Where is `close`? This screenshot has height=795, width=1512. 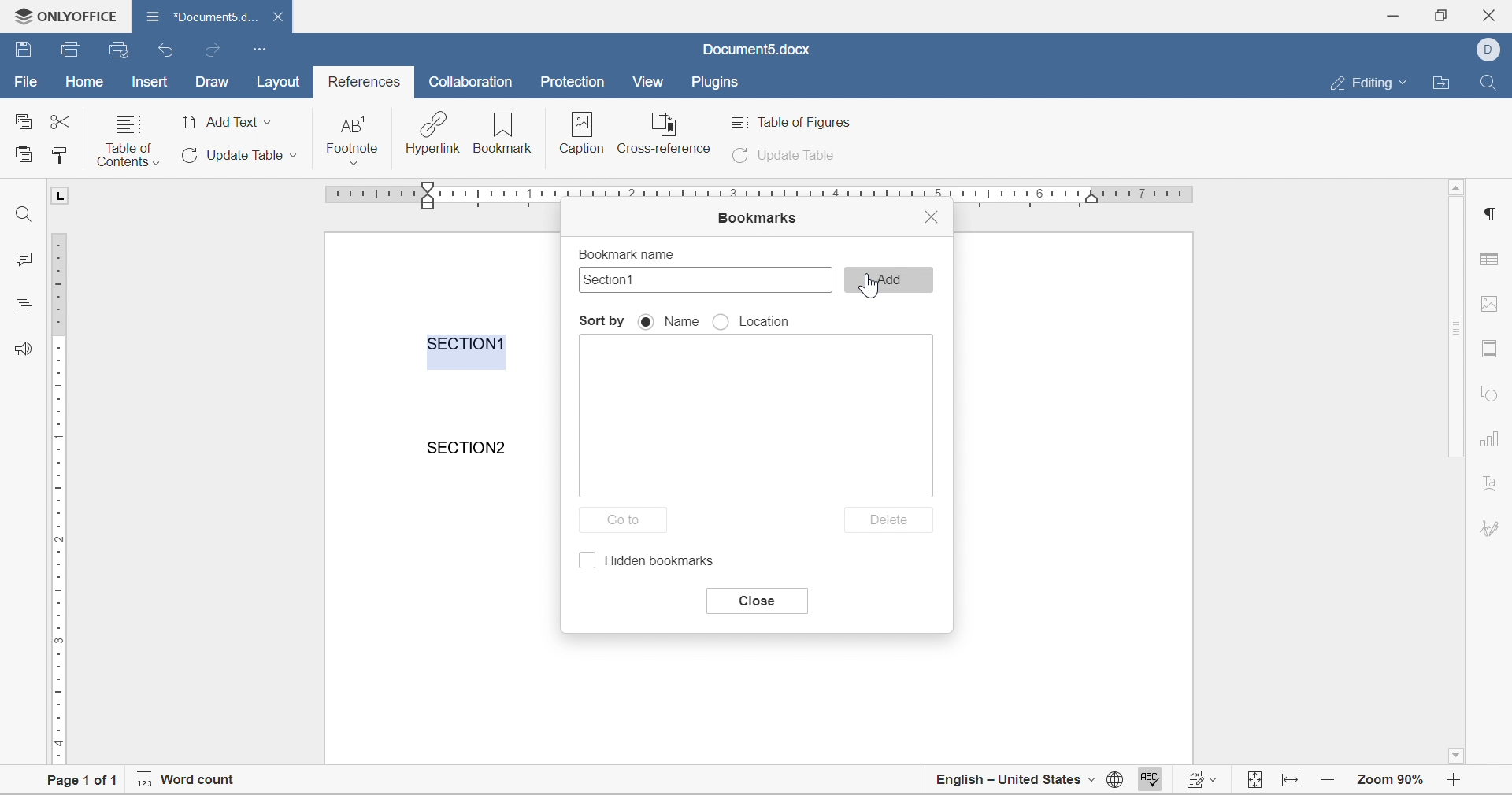 close is located at coordinates (932, 215).